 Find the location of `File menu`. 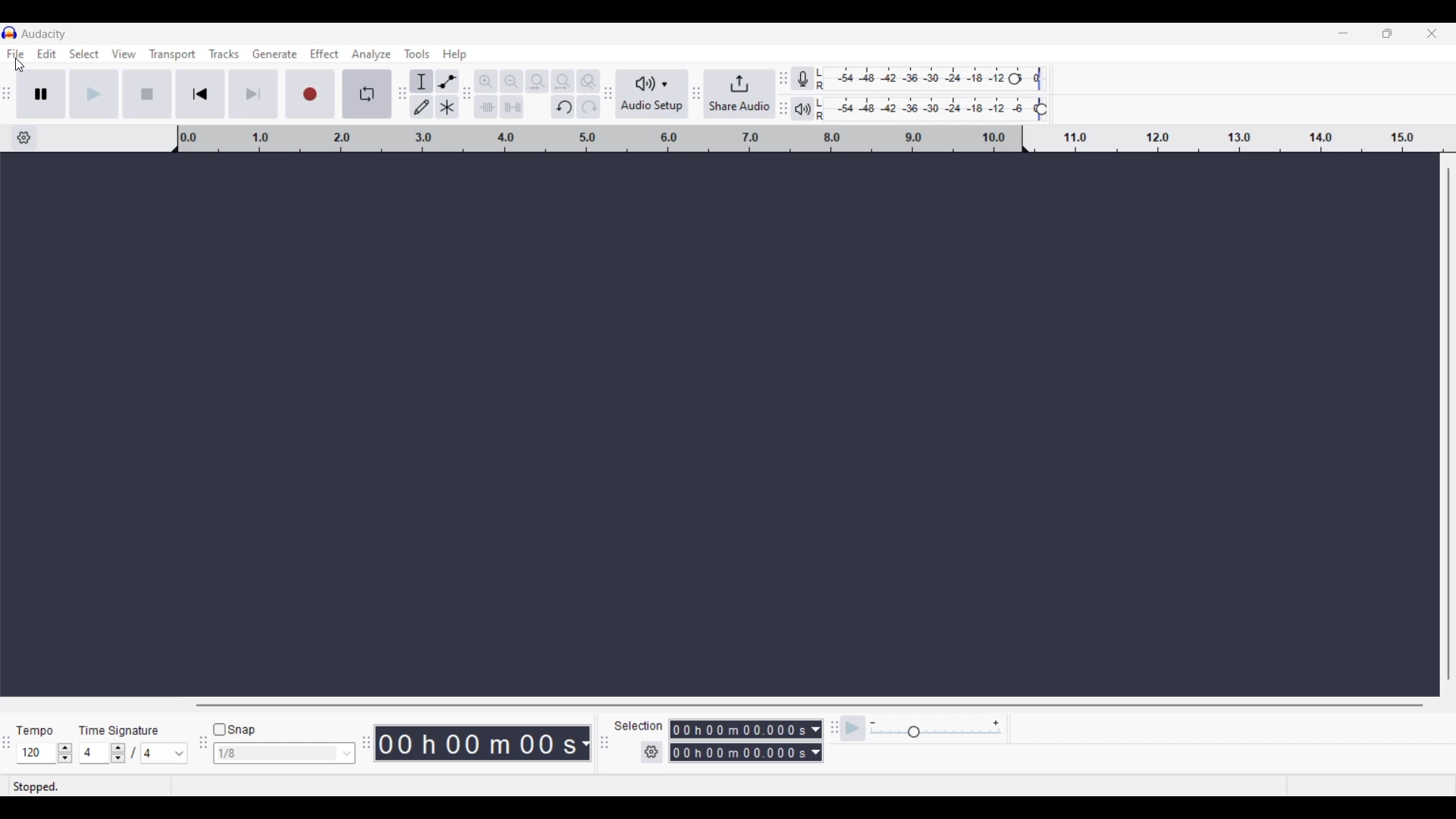

File menu is located at coordinates (14, 52).